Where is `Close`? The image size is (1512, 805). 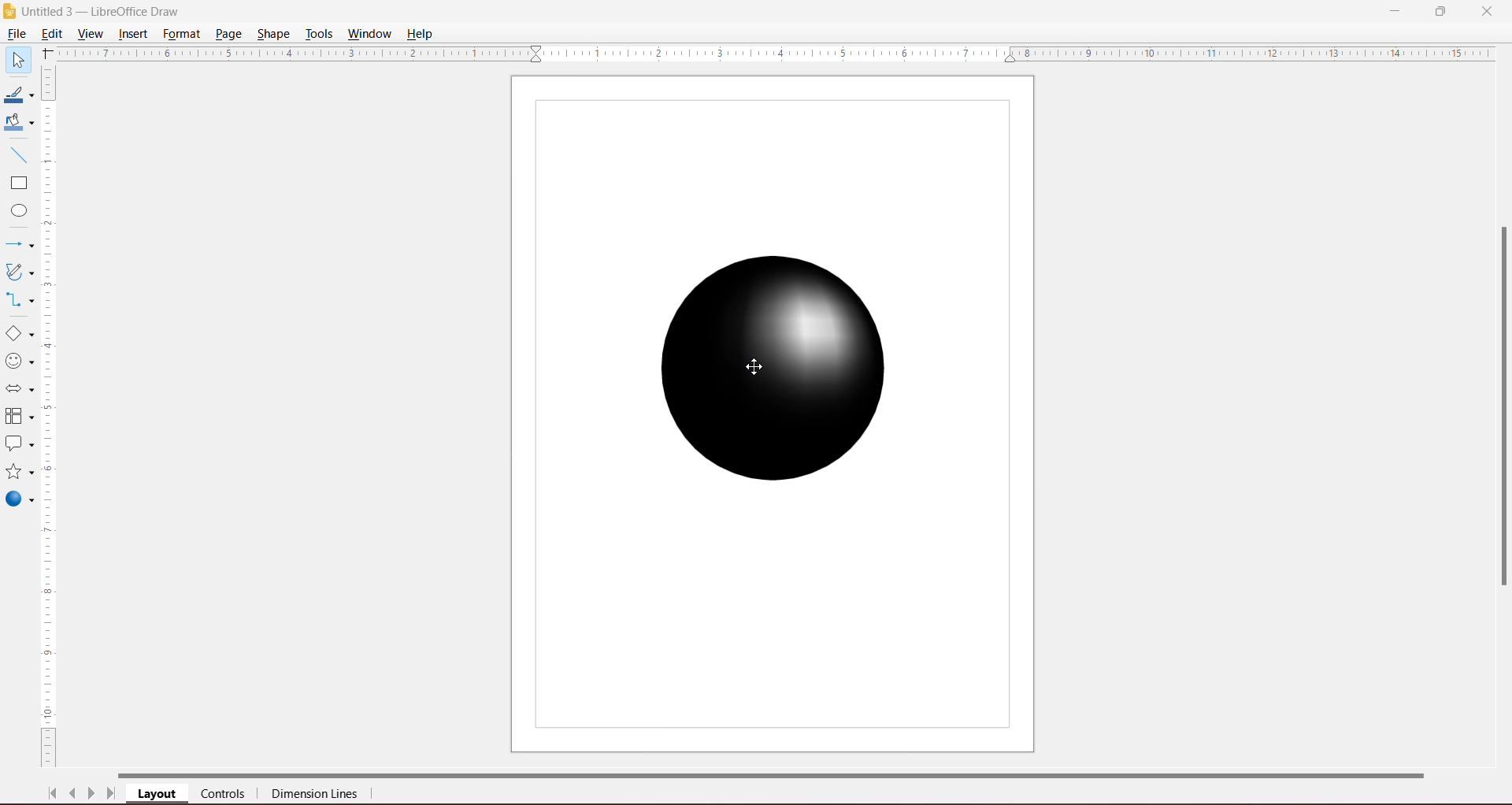
Close is located at coordinates (1487, 10).